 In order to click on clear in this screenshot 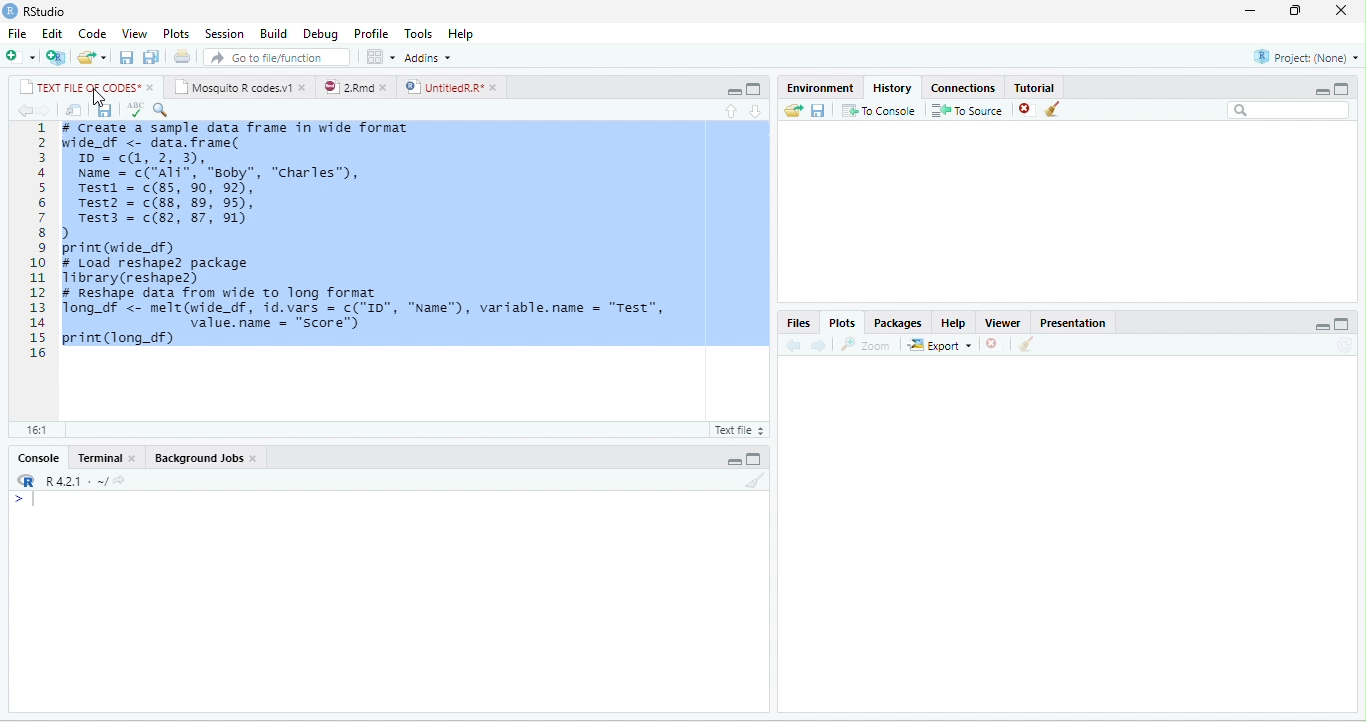, I will do `click(1053, 109)`.